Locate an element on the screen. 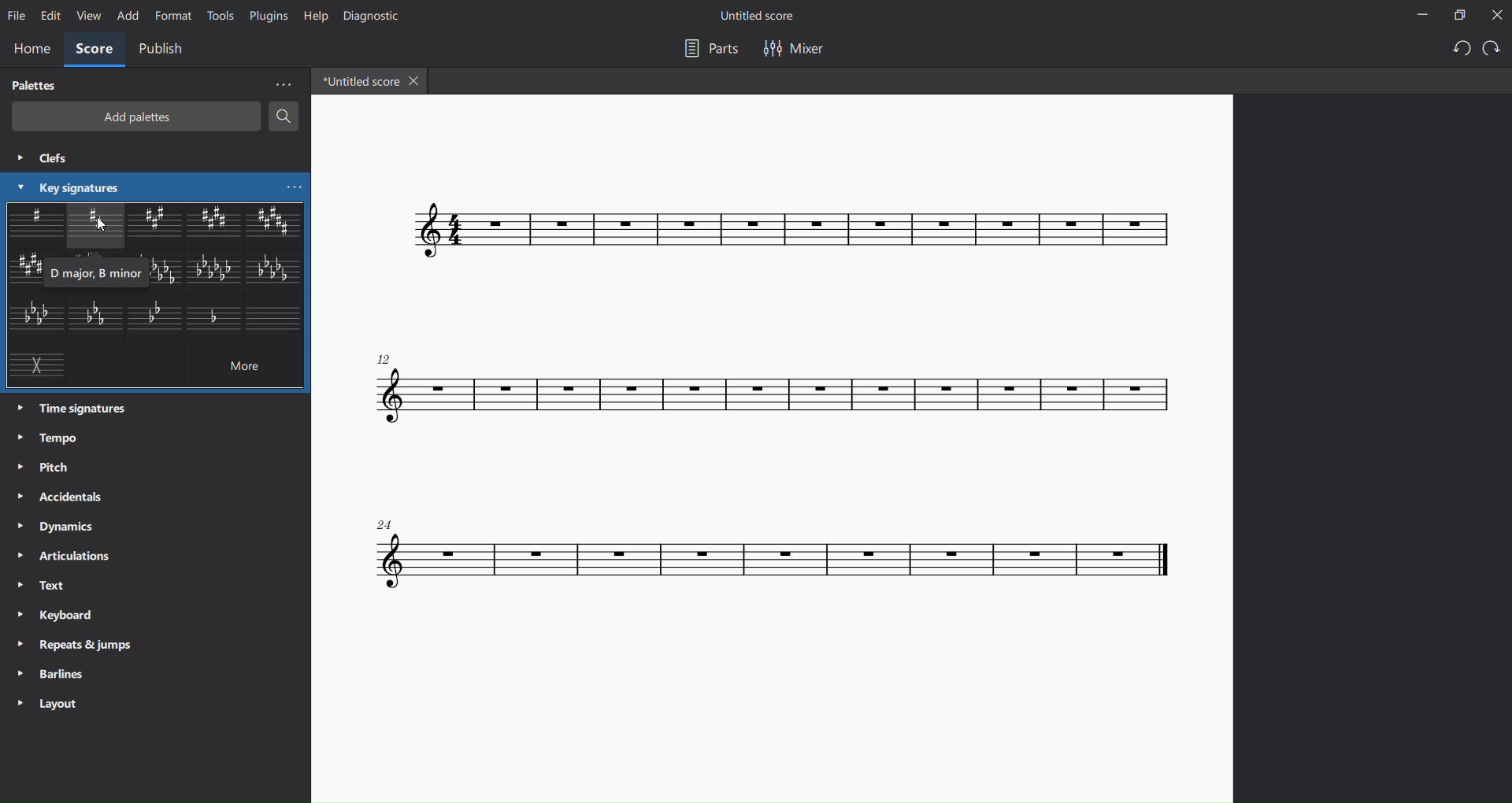 Image resolution: width=1512 pixels, height=803 pixels. add palettes is located at coordinates (135, 117).